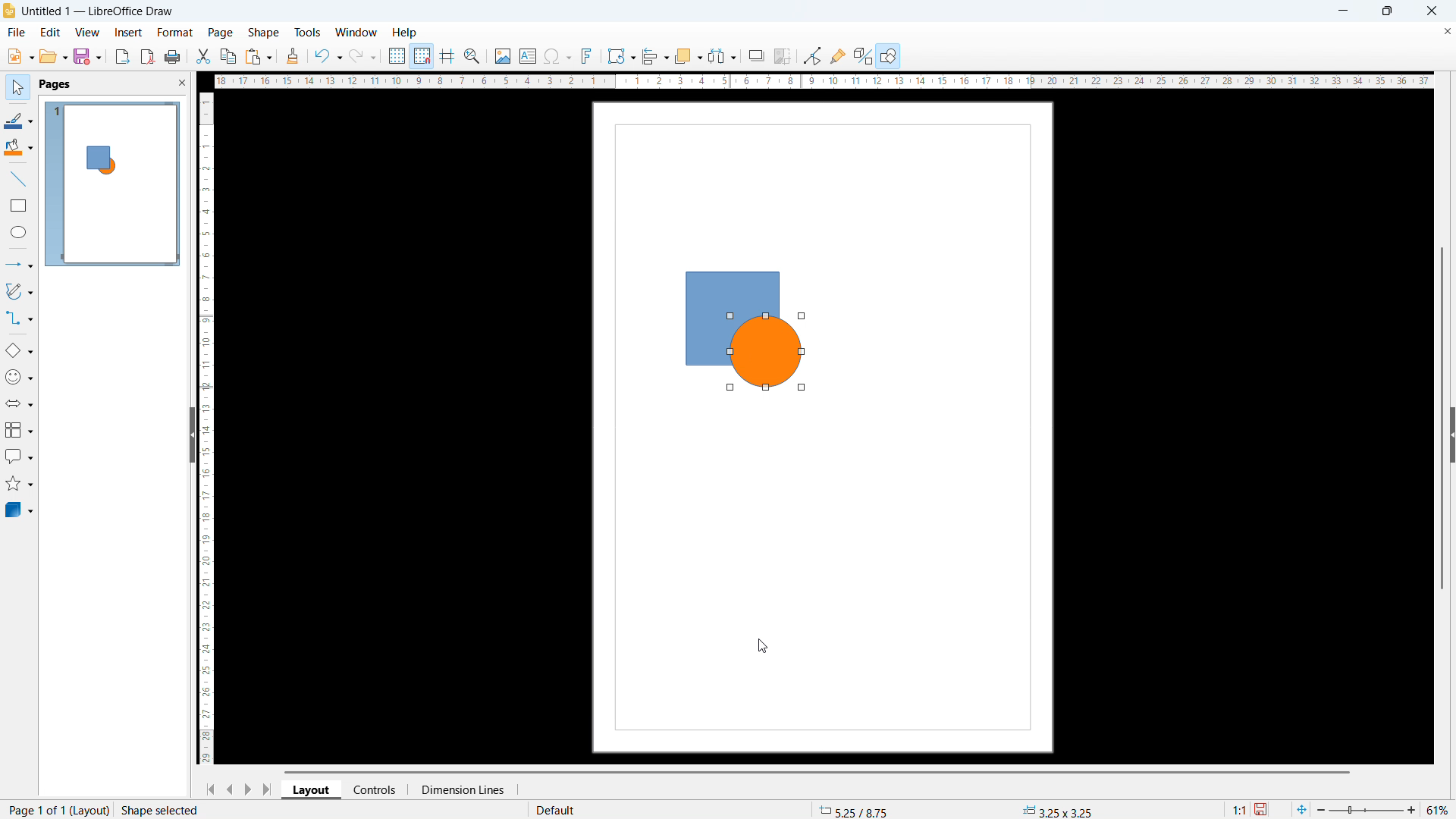 The image size is (1456, 819). Describe the element at coordinates (554, 810) in the screenshot. I see `default page style` at that location.